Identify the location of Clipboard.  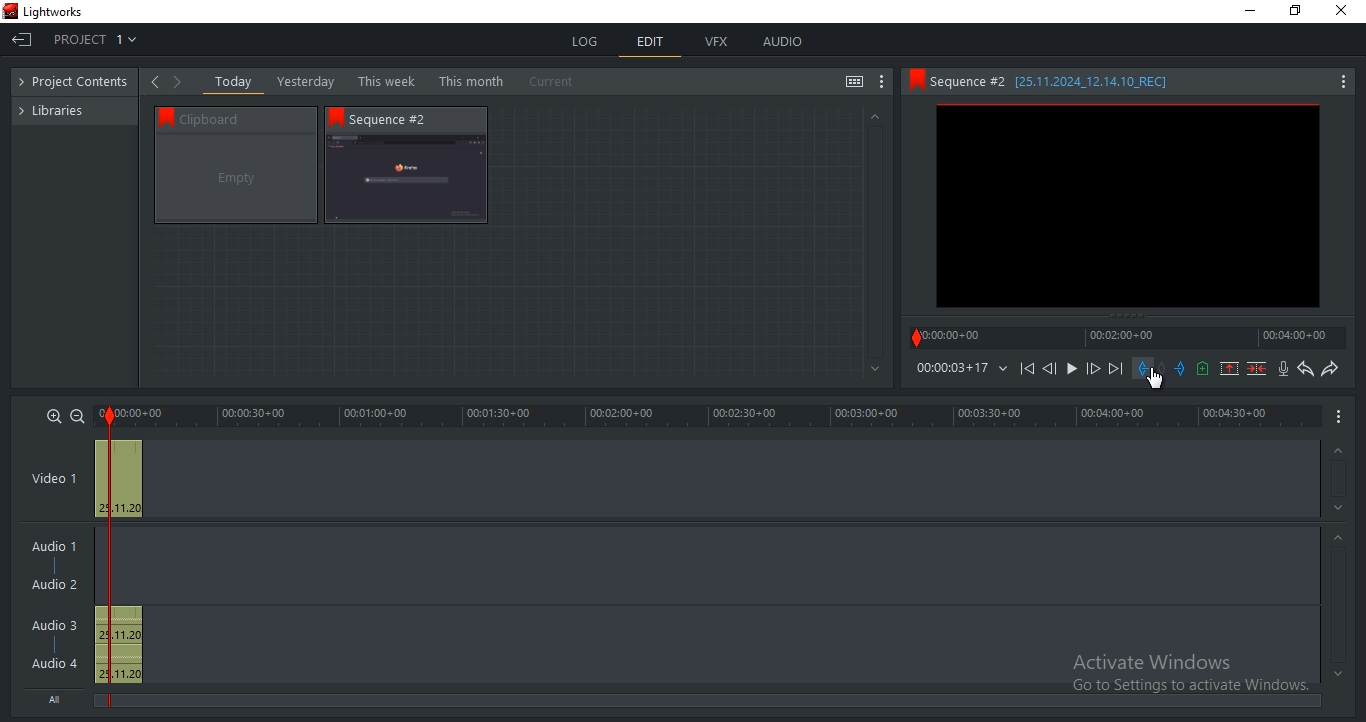
(245, 118).